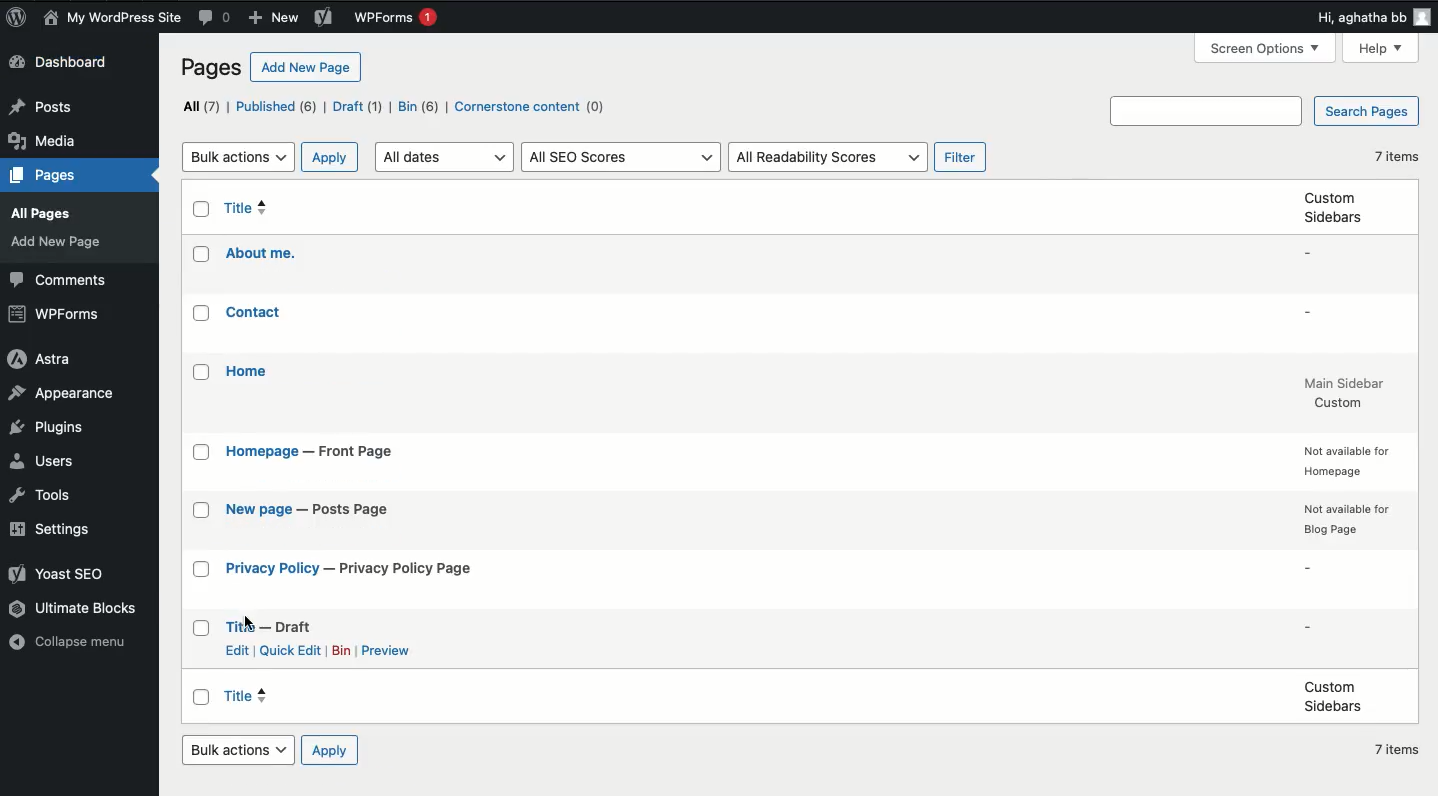 The width and height of the screenshot is (1438, 796). Describe the element at coordinates (329, 156) in the screenshot. I see `Apply` at that location.